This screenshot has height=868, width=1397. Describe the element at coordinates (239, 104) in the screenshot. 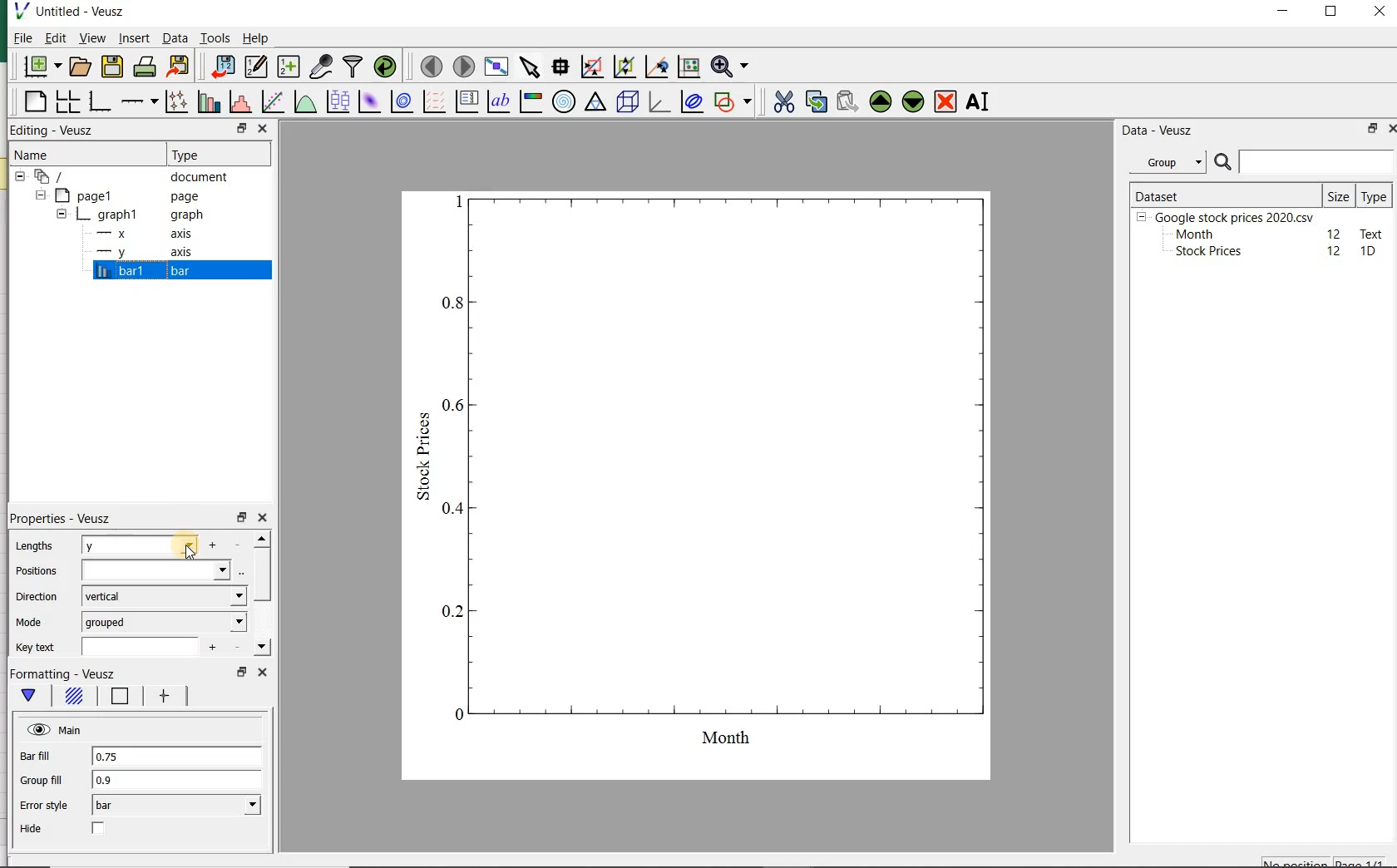

I see `histogram of a dataset` at that location.